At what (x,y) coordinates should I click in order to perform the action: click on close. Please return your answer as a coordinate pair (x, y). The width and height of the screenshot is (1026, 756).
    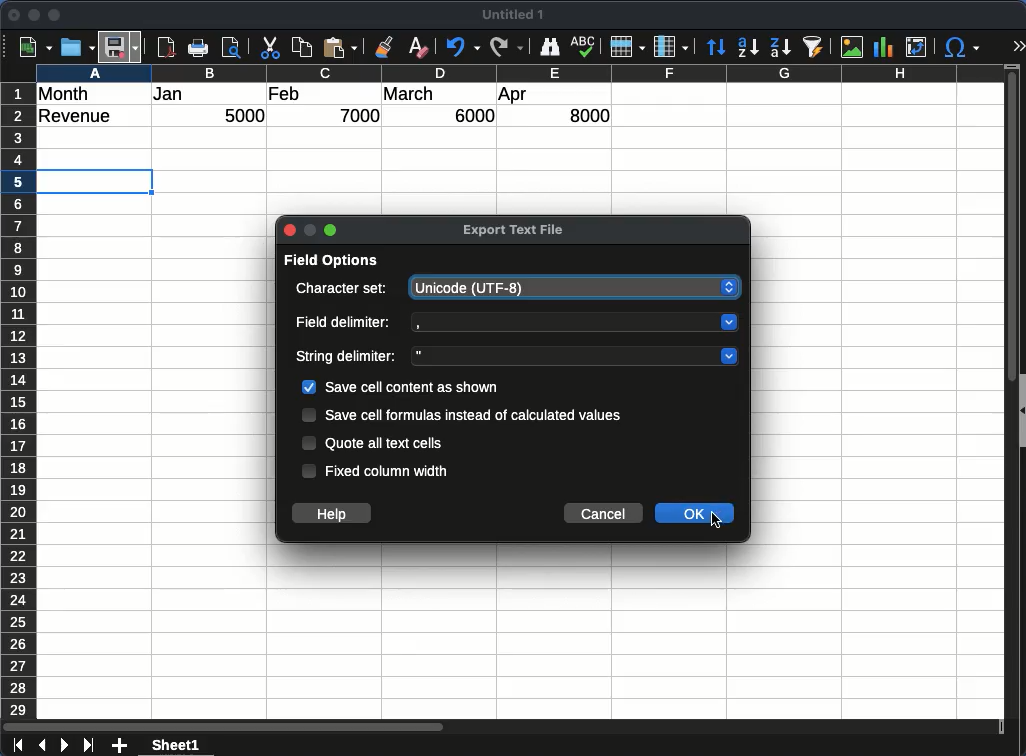
    Looking at the image, I should click on (289, 230).